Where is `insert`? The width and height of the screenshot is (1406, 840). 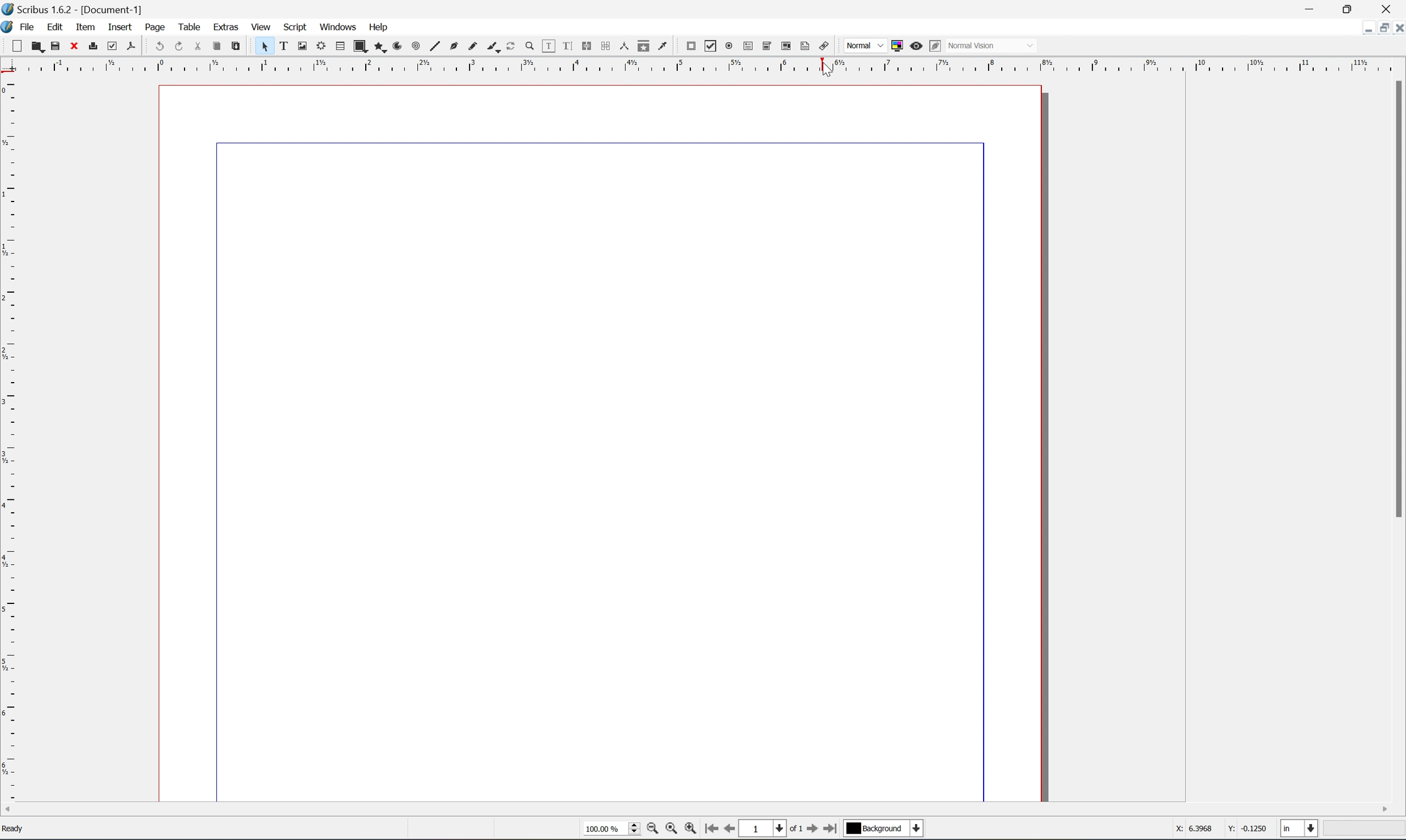
insert is located at coordinates (113, 25).